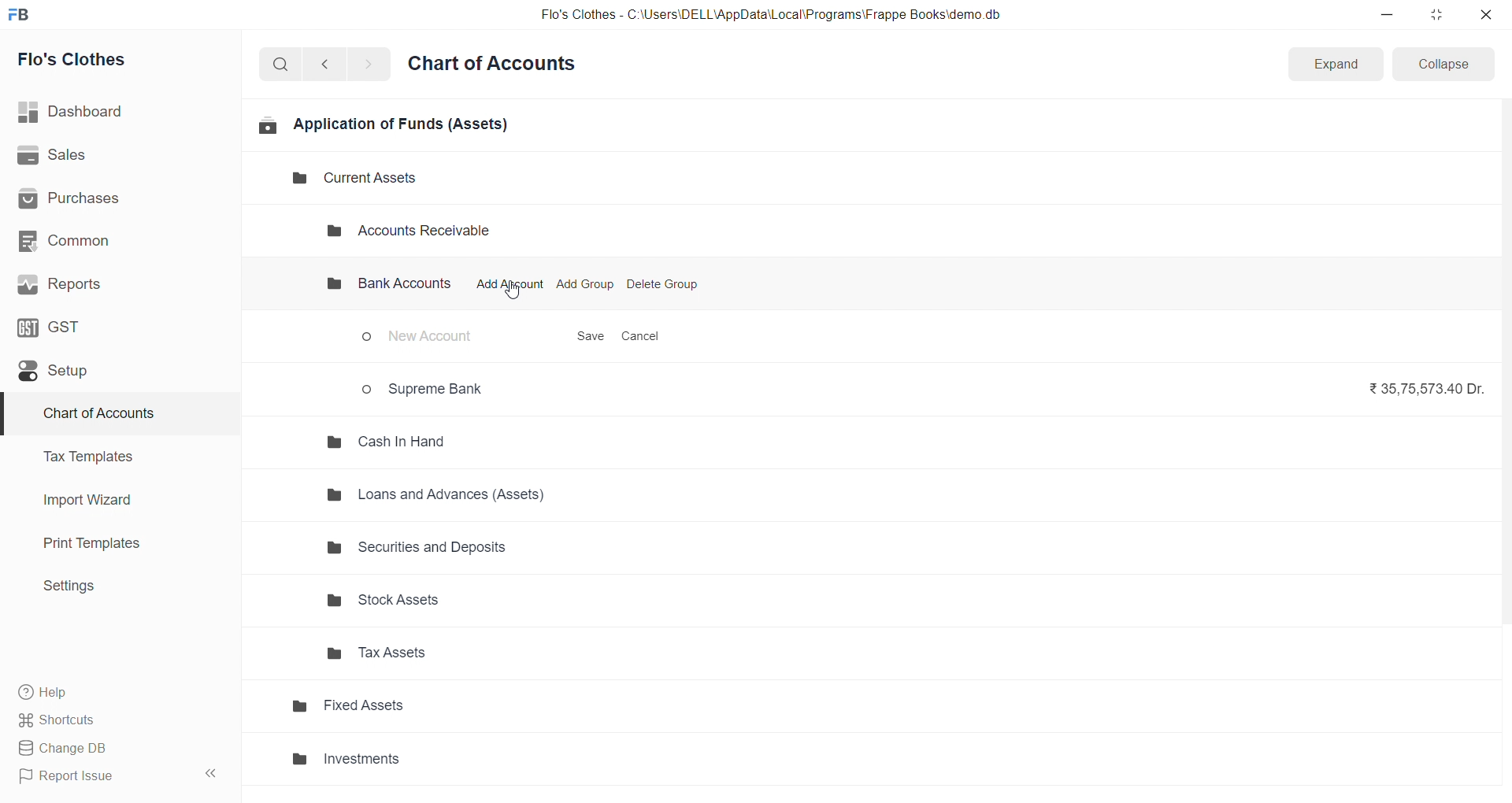 The image size is (1512, 803). Describe the element at coordinates (428, 711) in the screenshot. I see `Fixed Assets` at that location.